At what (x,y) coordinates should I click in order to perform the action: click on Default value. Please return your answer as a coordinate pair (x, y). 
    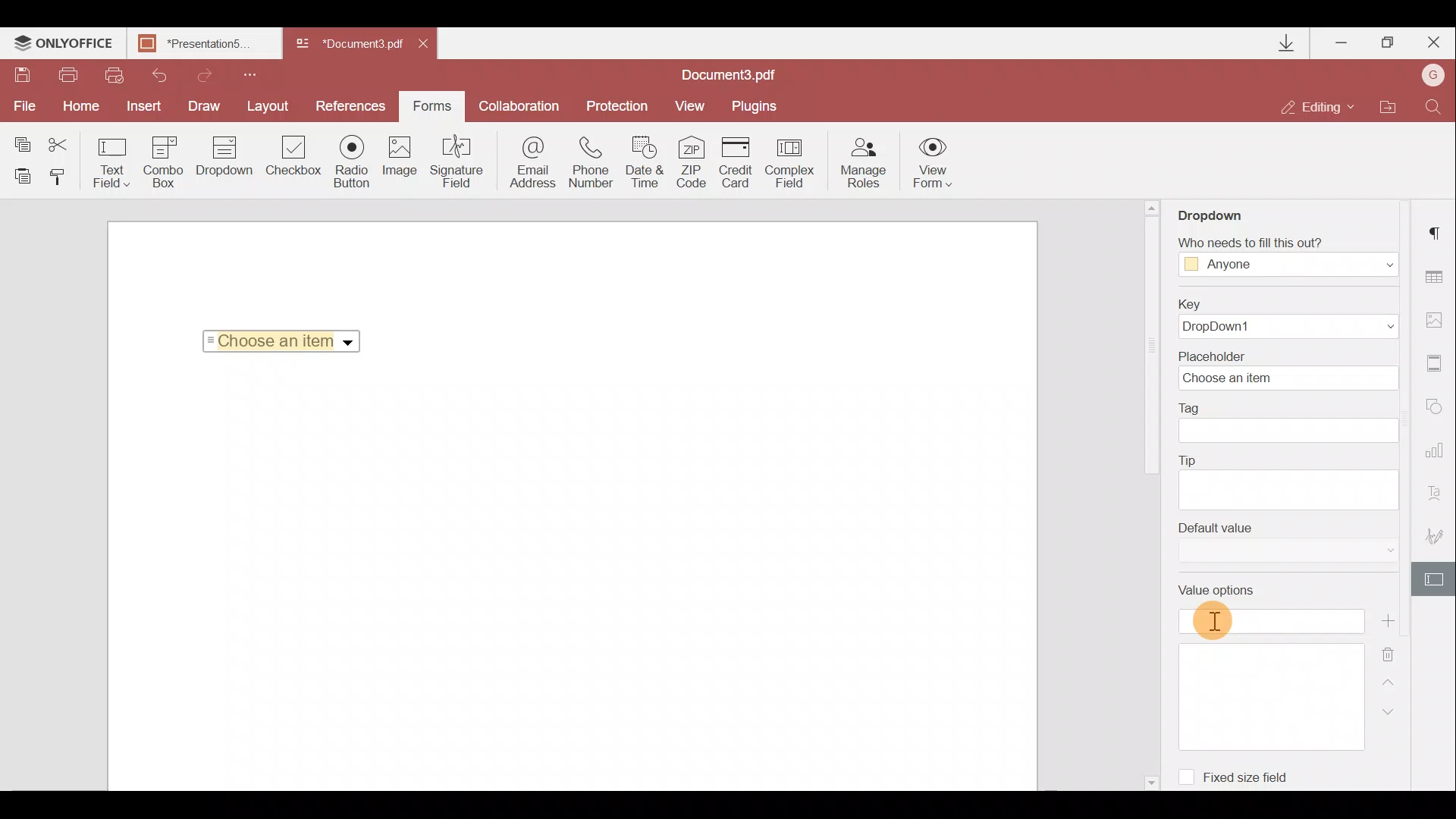
    Looking at the image, I should click on (1288, 542).